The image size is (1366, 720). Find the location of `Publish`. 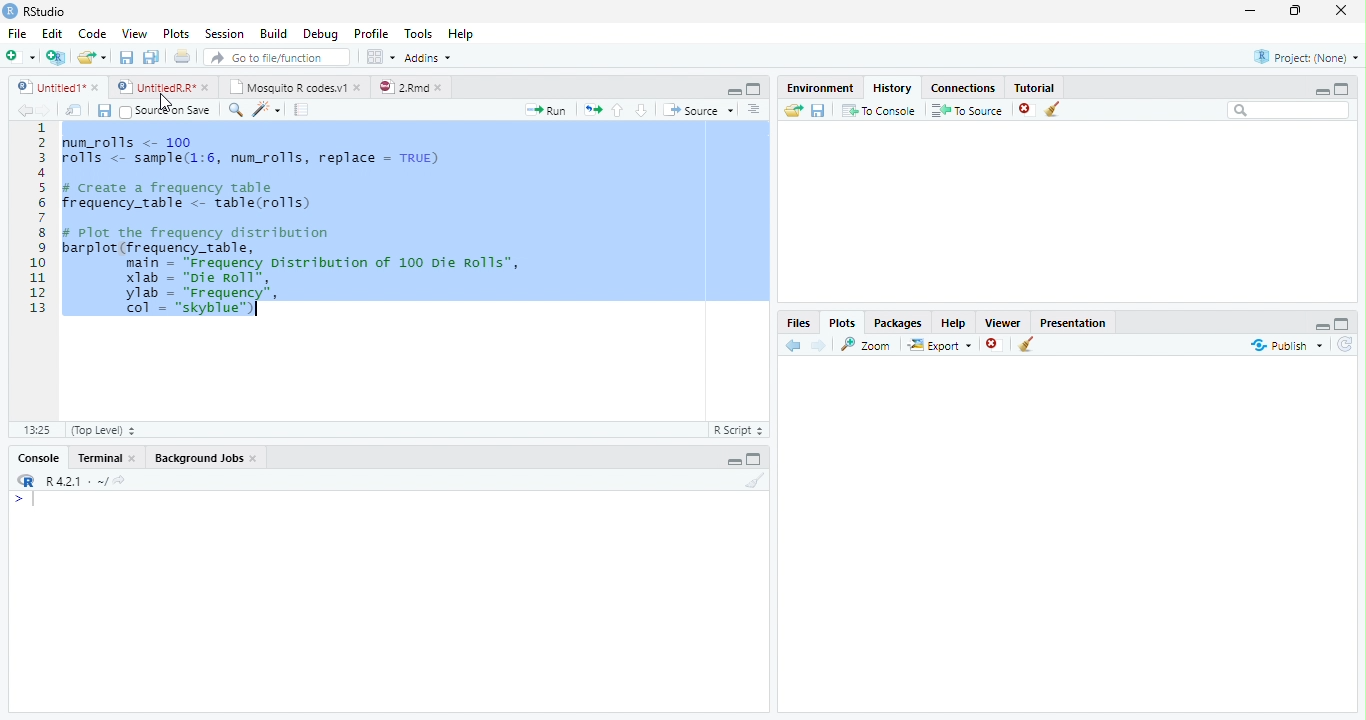

Publish is located at coordinates (1284, 346).